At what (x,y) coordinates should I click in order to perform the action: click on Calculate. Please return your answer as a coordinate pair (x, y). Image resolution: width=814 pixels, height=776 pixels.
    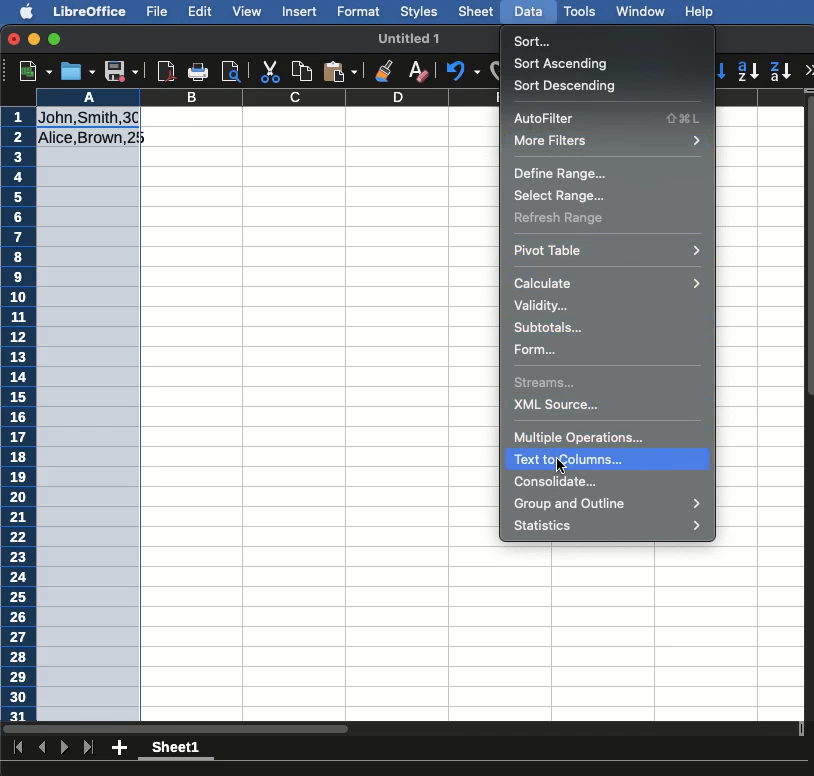
    Looking at the image, I should click on (607, 281).